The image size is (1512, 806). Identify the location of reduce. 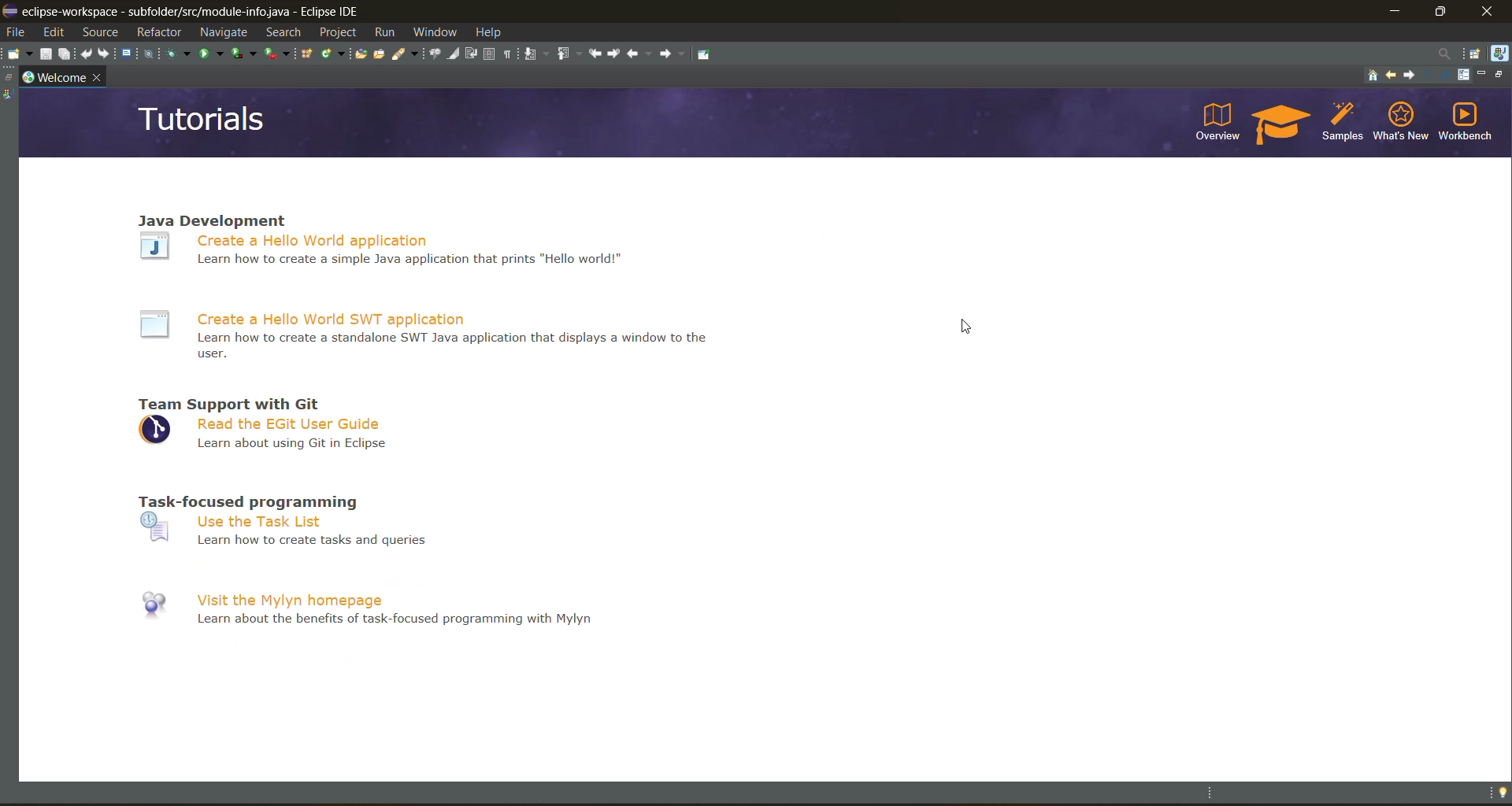
(1430, 75).